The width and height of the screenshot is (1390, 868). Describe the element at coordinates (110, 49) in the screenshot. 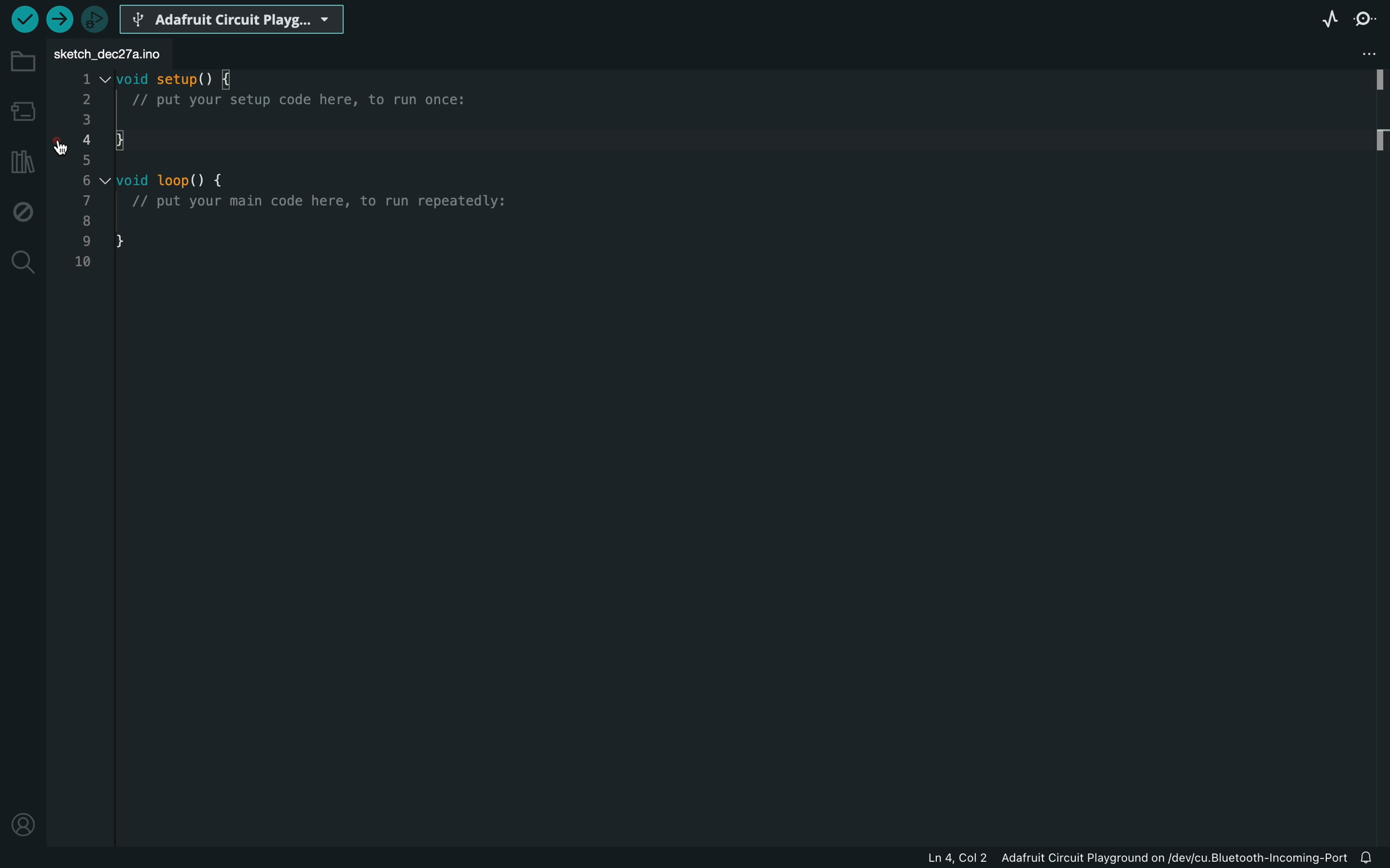

I see `file tab` at that location.